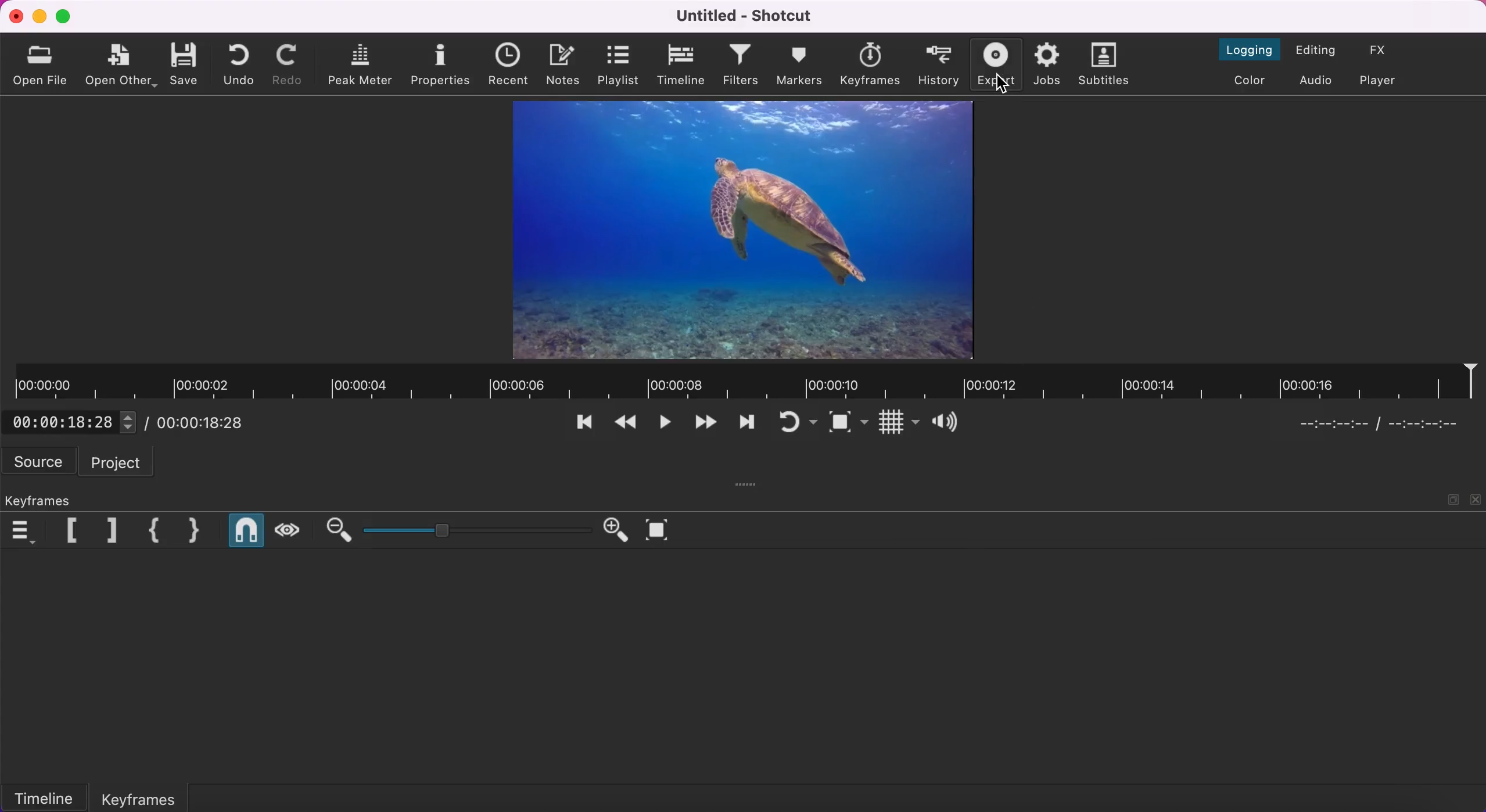 This screenshot has height=812, width=1486. I want to click on next marker, so click(105, 529).